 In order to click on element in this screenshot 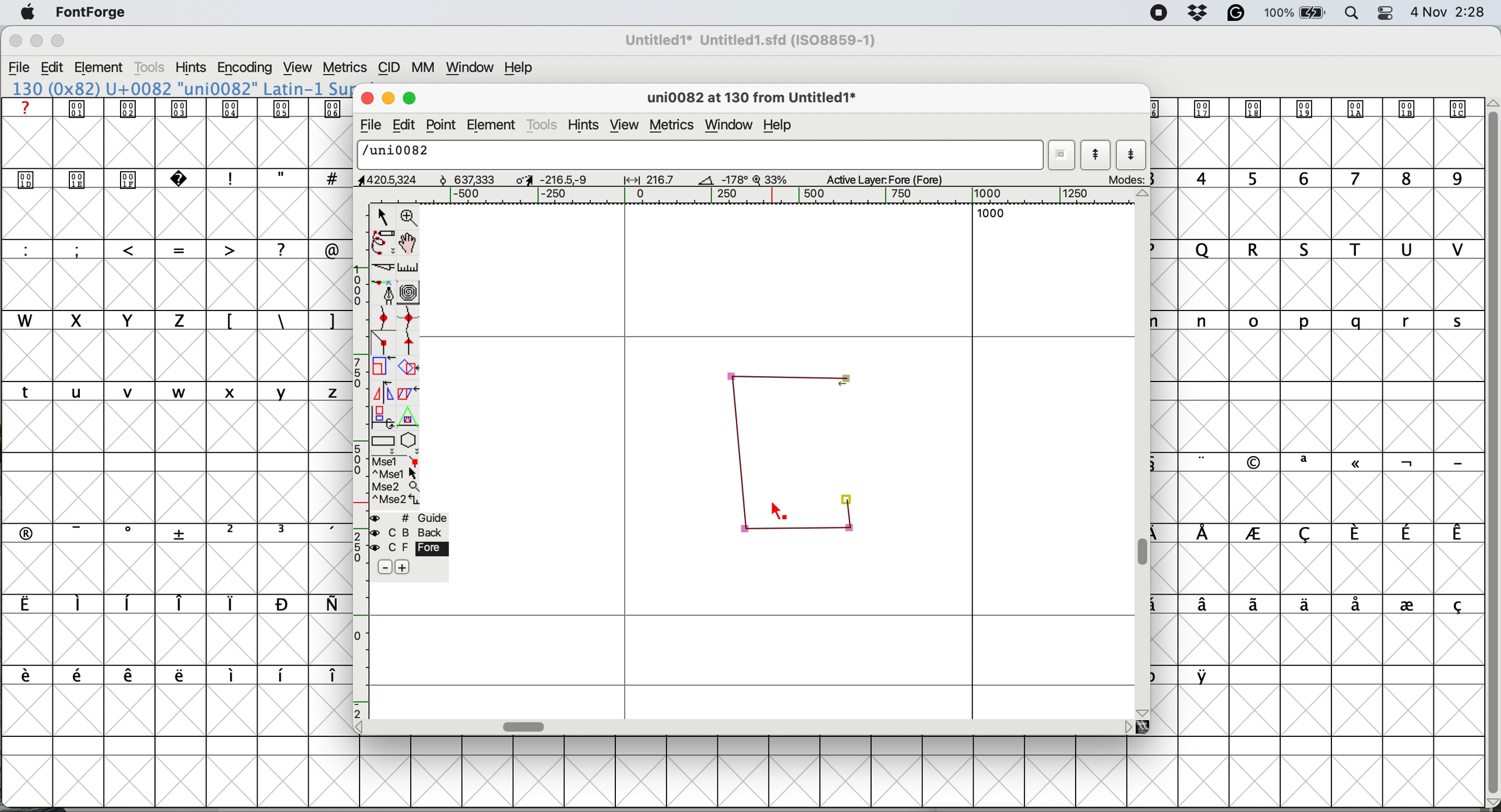, I will do `click(100, 69)`.